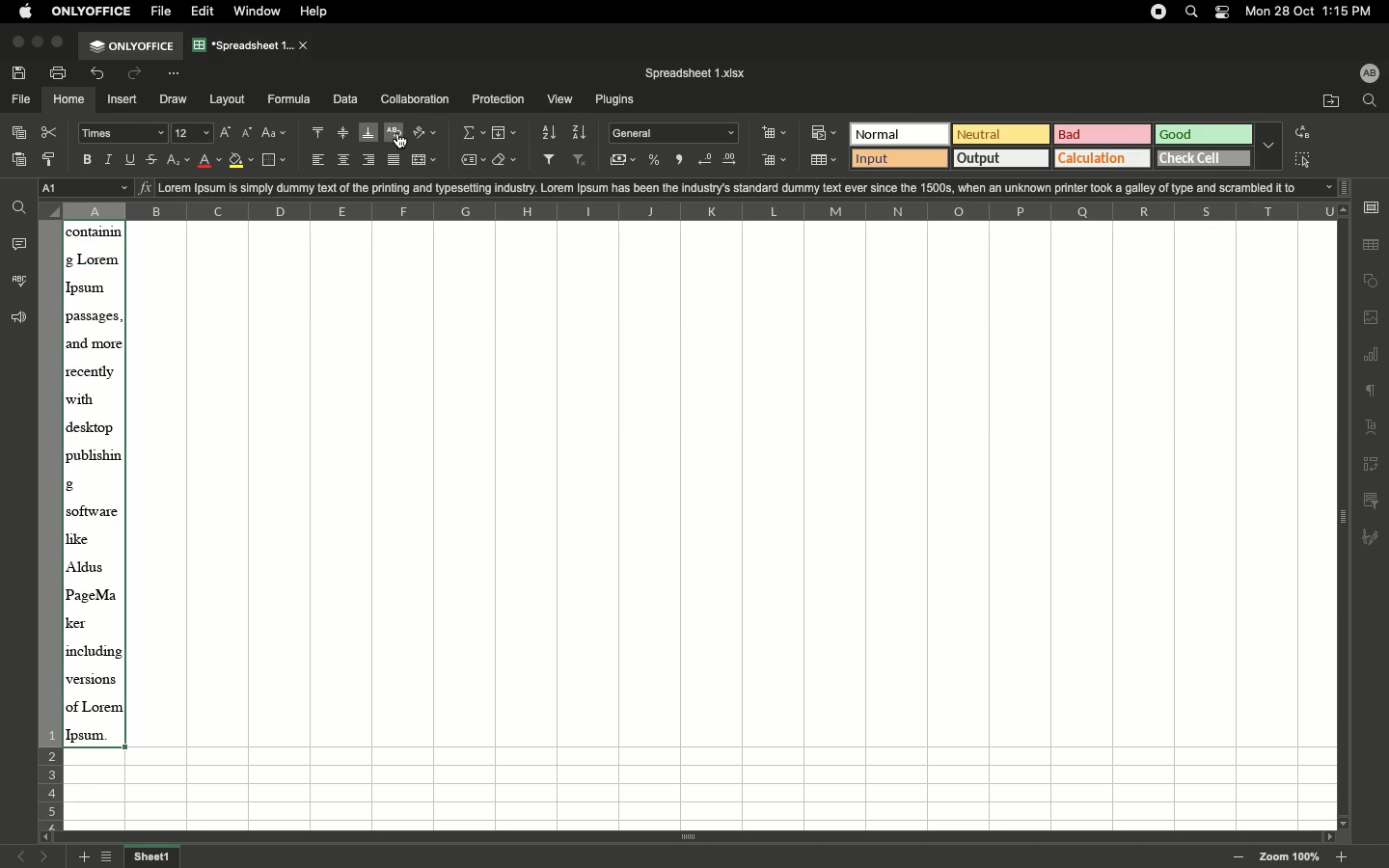 The image size is (1389, 868). What do you see at coordinates (675, 133) in the screenshot?
I see `Number format ` at bounding box center [675, 133].